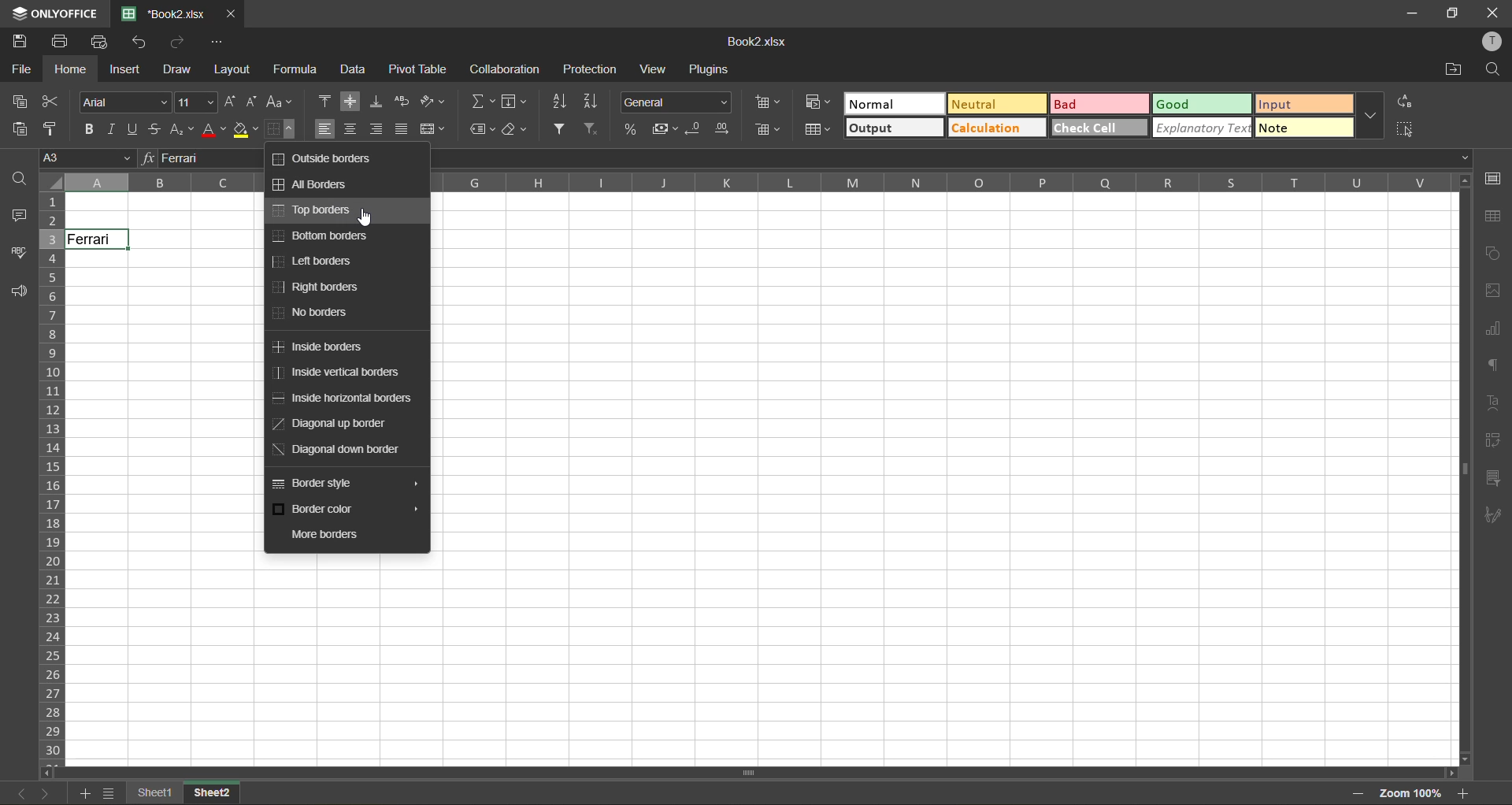 The image size is (1512, 805). What do you see at coordinates (18, 129) in the screenshot?
I see `paste` at bounding box center [18, 129].